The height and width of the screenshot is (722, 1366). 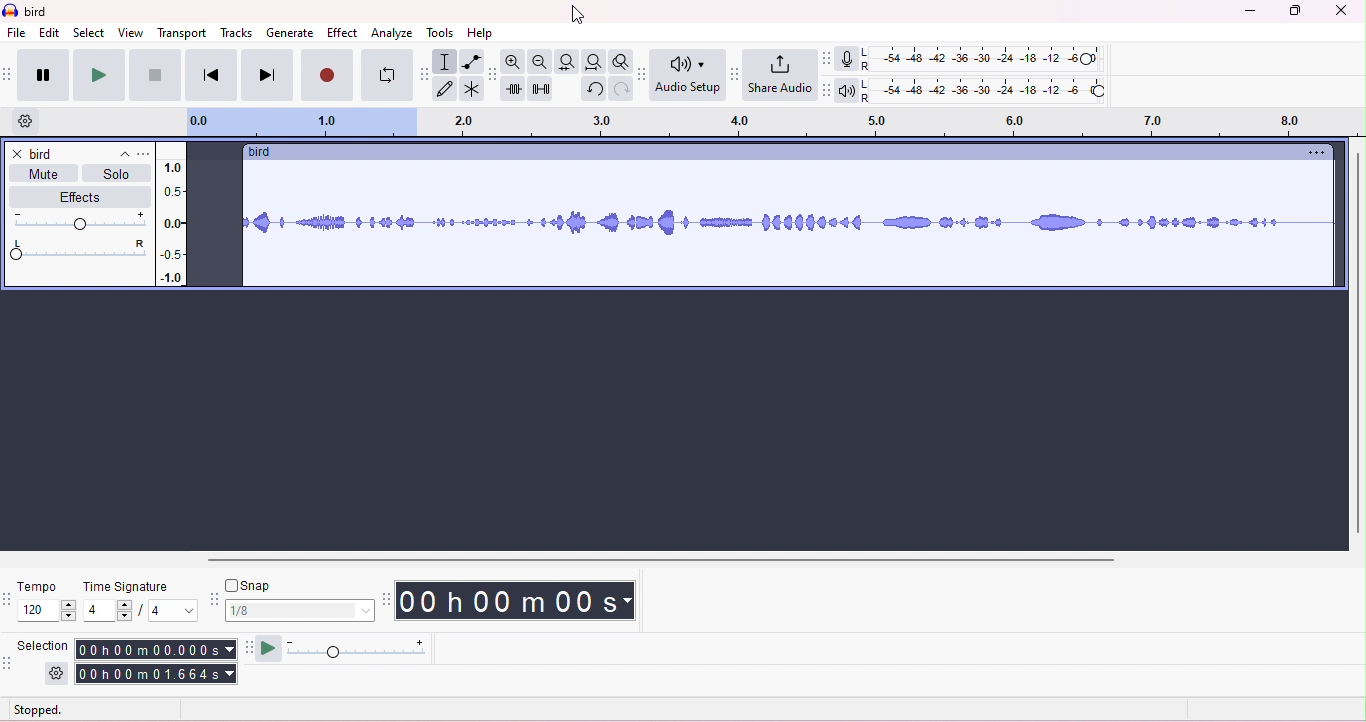 I want to click on selection, so click(x=46, y=644).